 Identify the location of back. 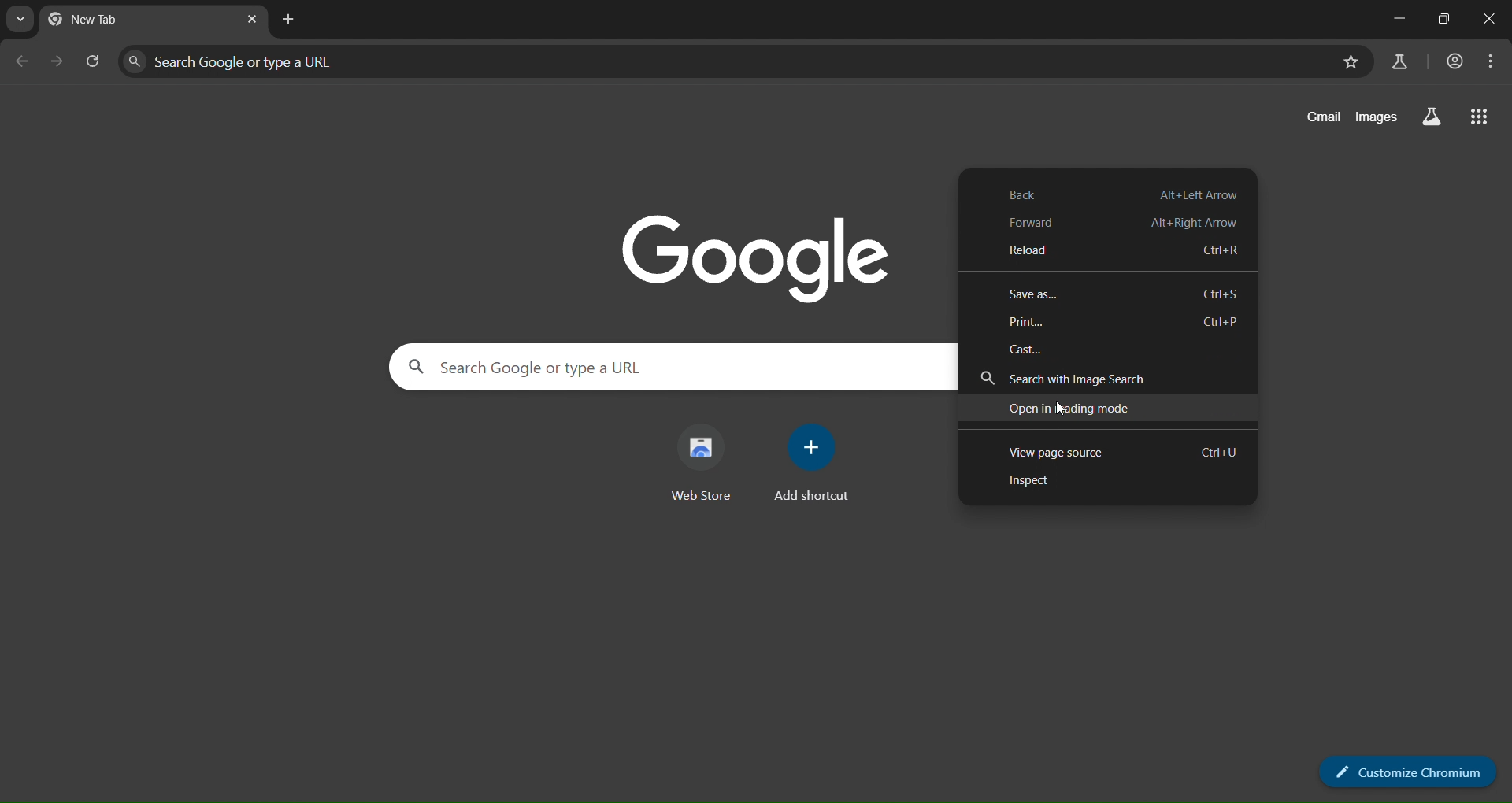
(1117, 193).